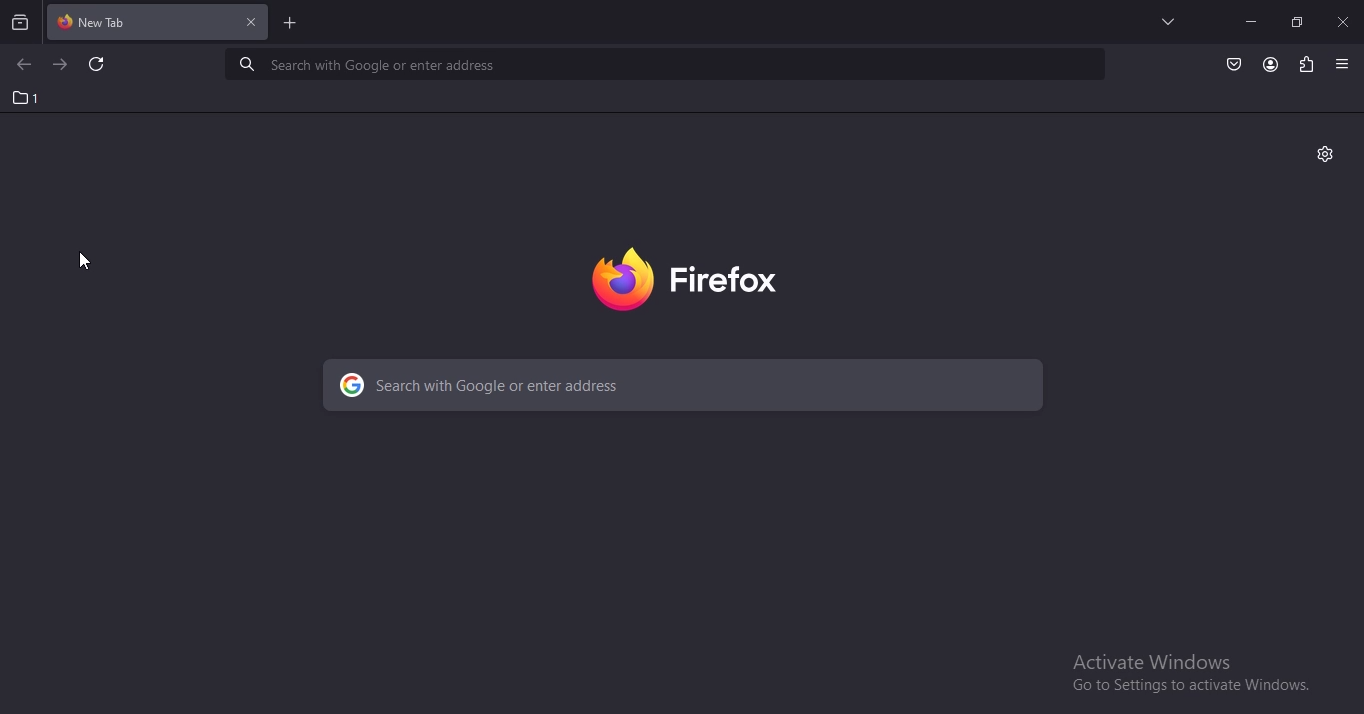 The width and height of the screenshot is (1364, 714). I want to click on reload this page, so click(101, 66).